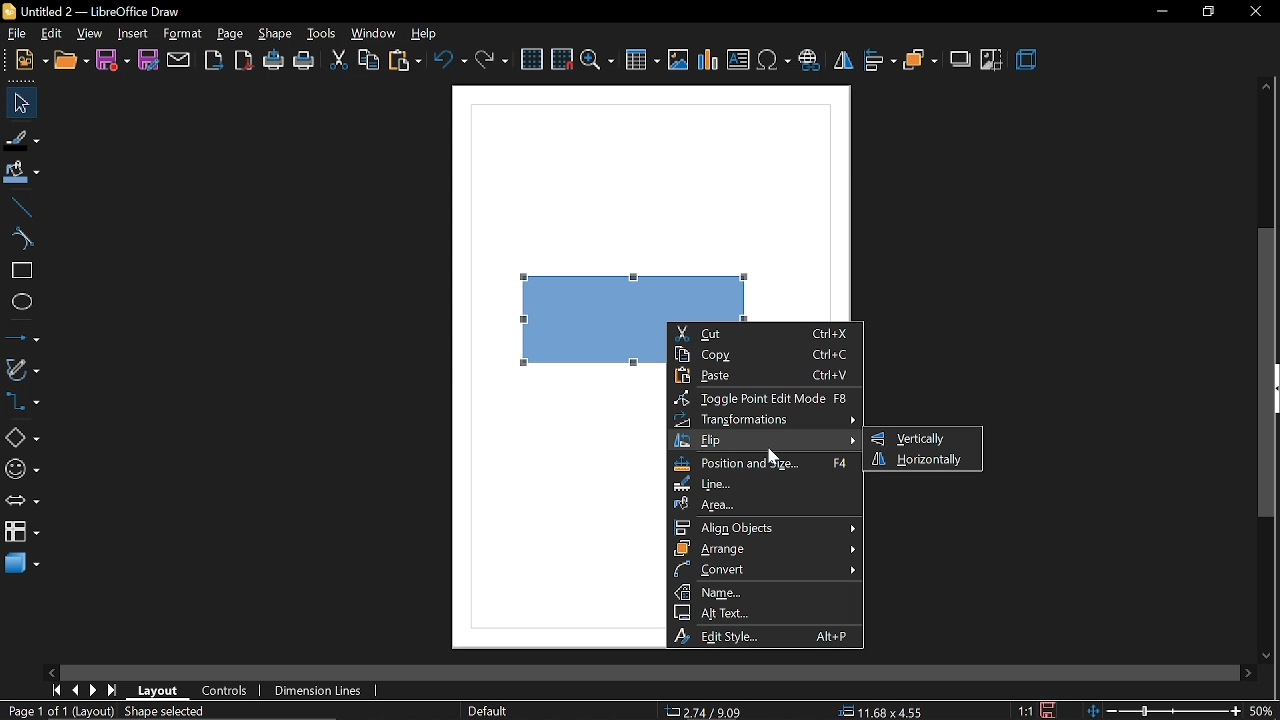 The height and width of the screenshot is (720, 1280). I want to click on new, so click(25, 59).